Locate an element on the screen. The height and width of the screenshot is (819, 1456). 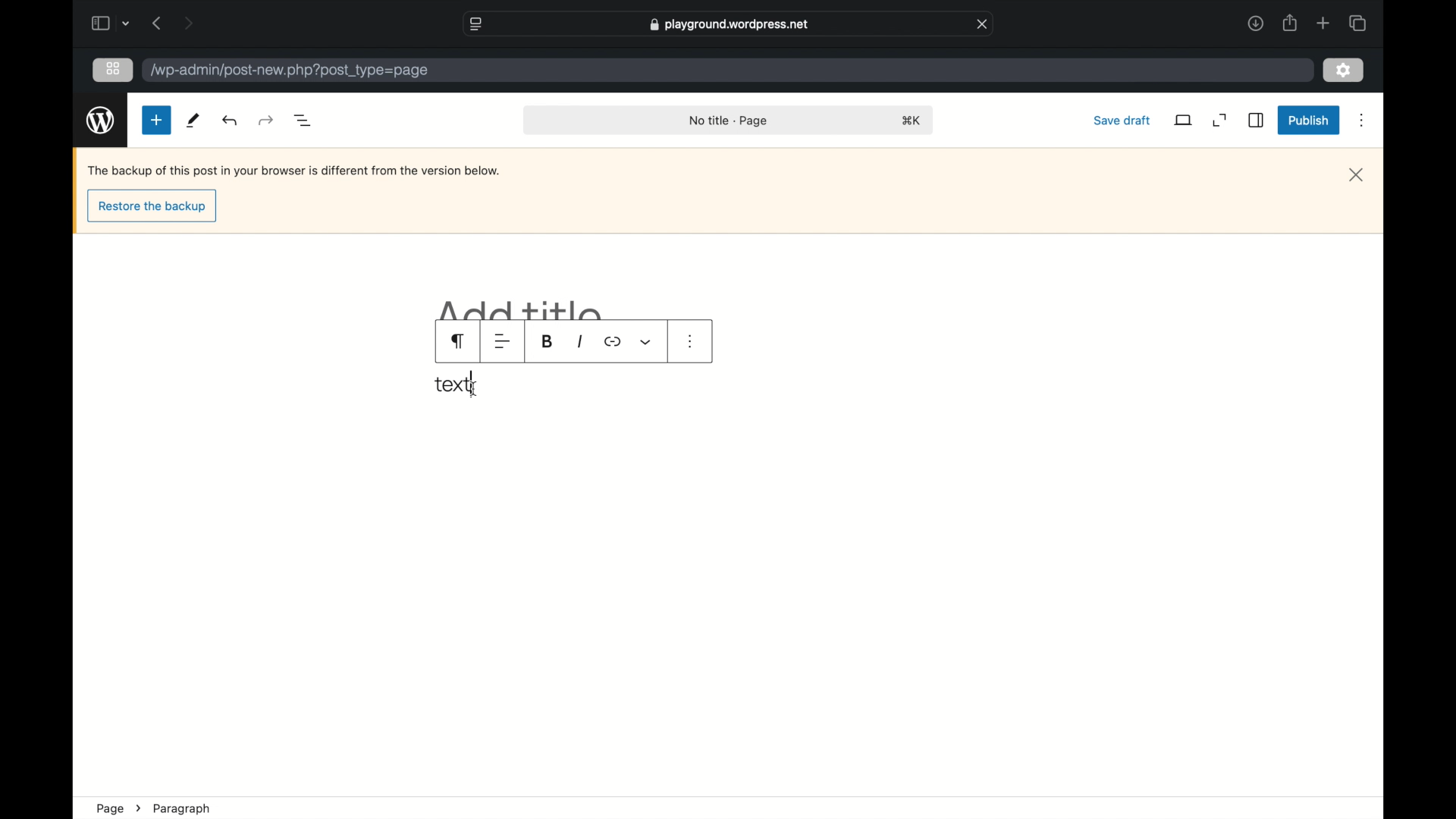
paragraph is located at coordinates (183, 809).